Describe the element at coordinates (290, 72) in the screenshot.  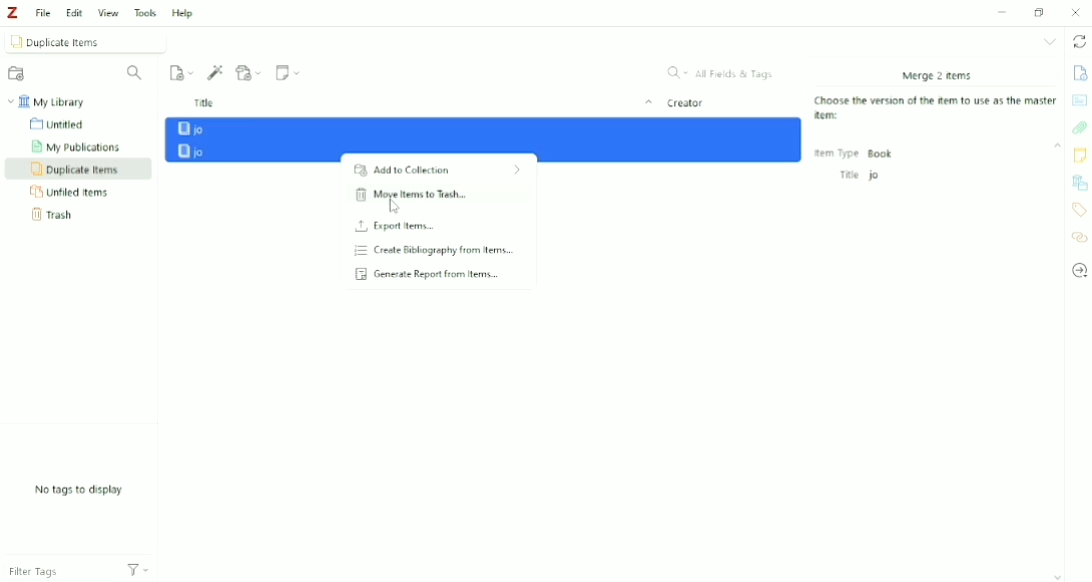
I see `New Note` at that location.